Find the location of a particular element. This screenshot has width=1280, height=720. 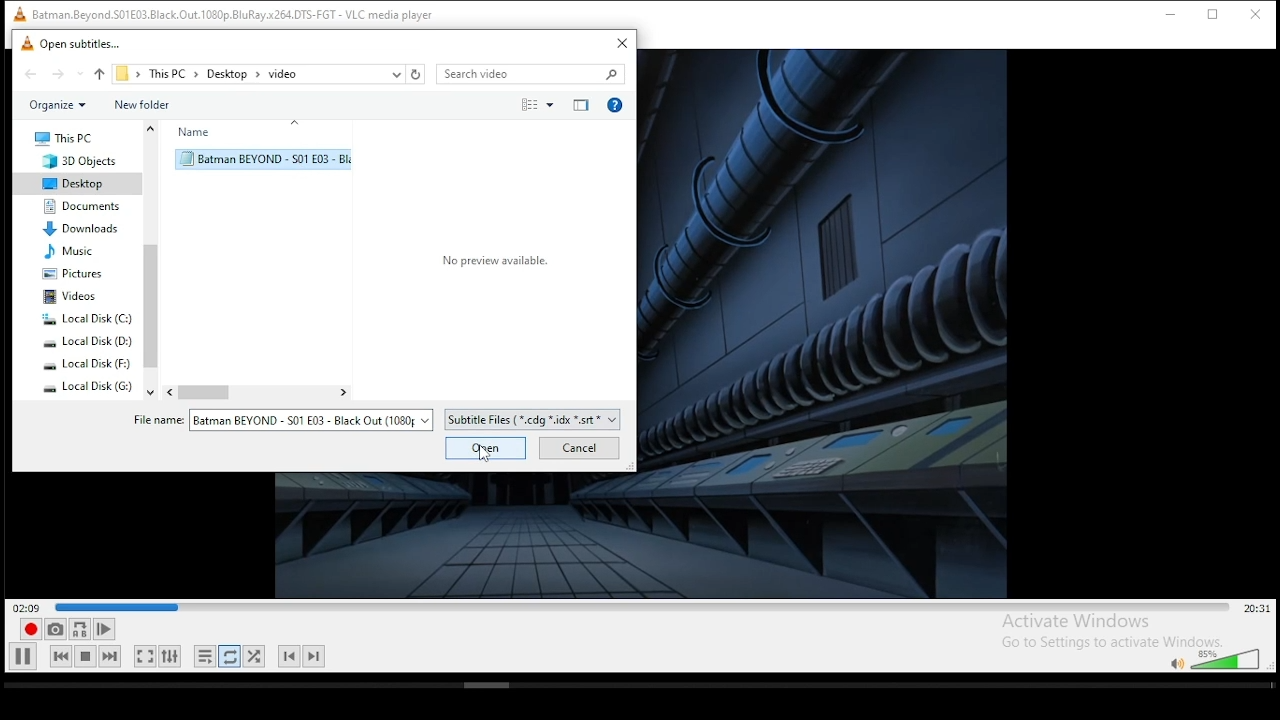

cancel is located at coordinates (579, 449).